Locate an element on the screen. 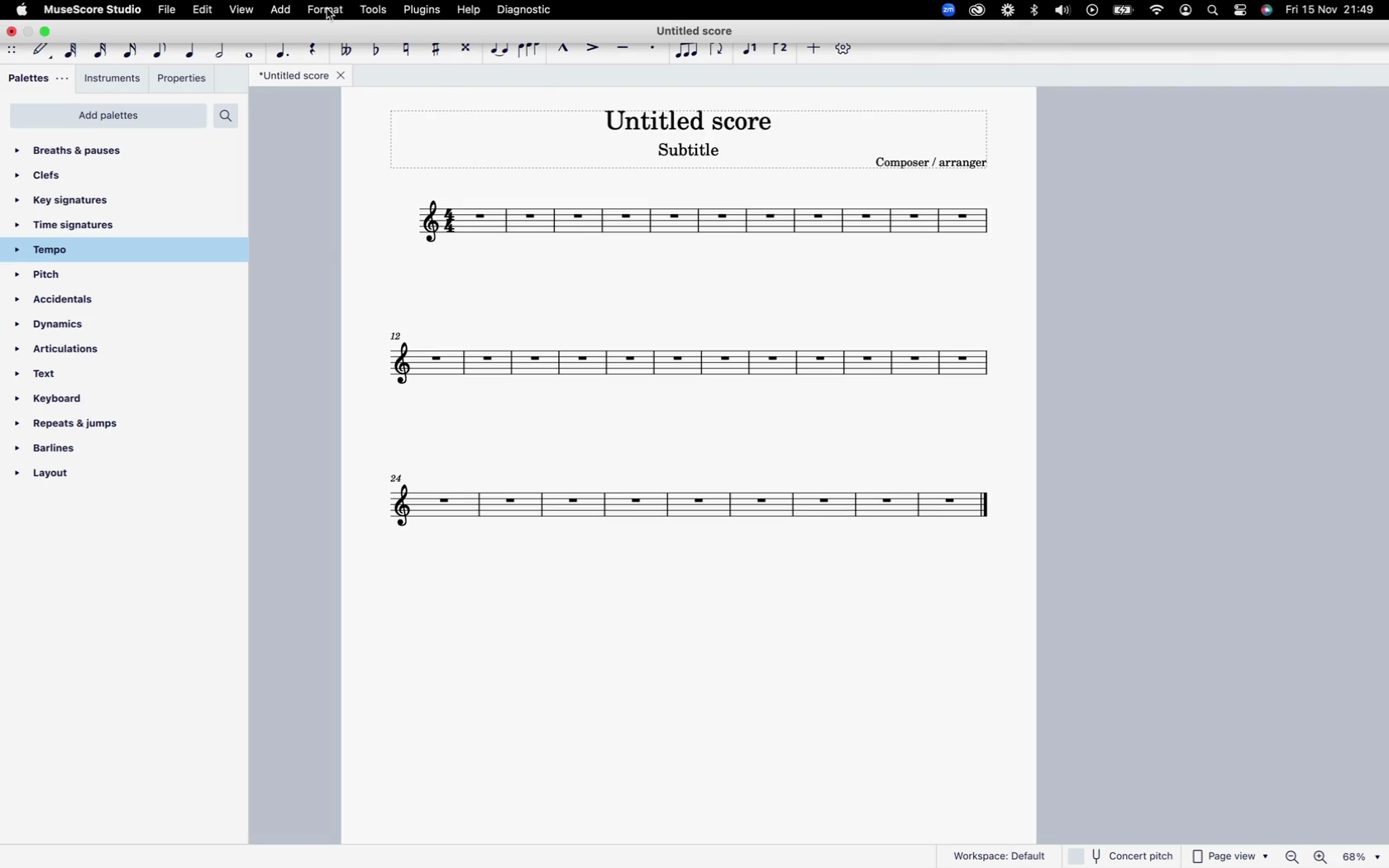 This screenshot has height=868, width=1389. voice 2 is located at coordinates (782, 48).